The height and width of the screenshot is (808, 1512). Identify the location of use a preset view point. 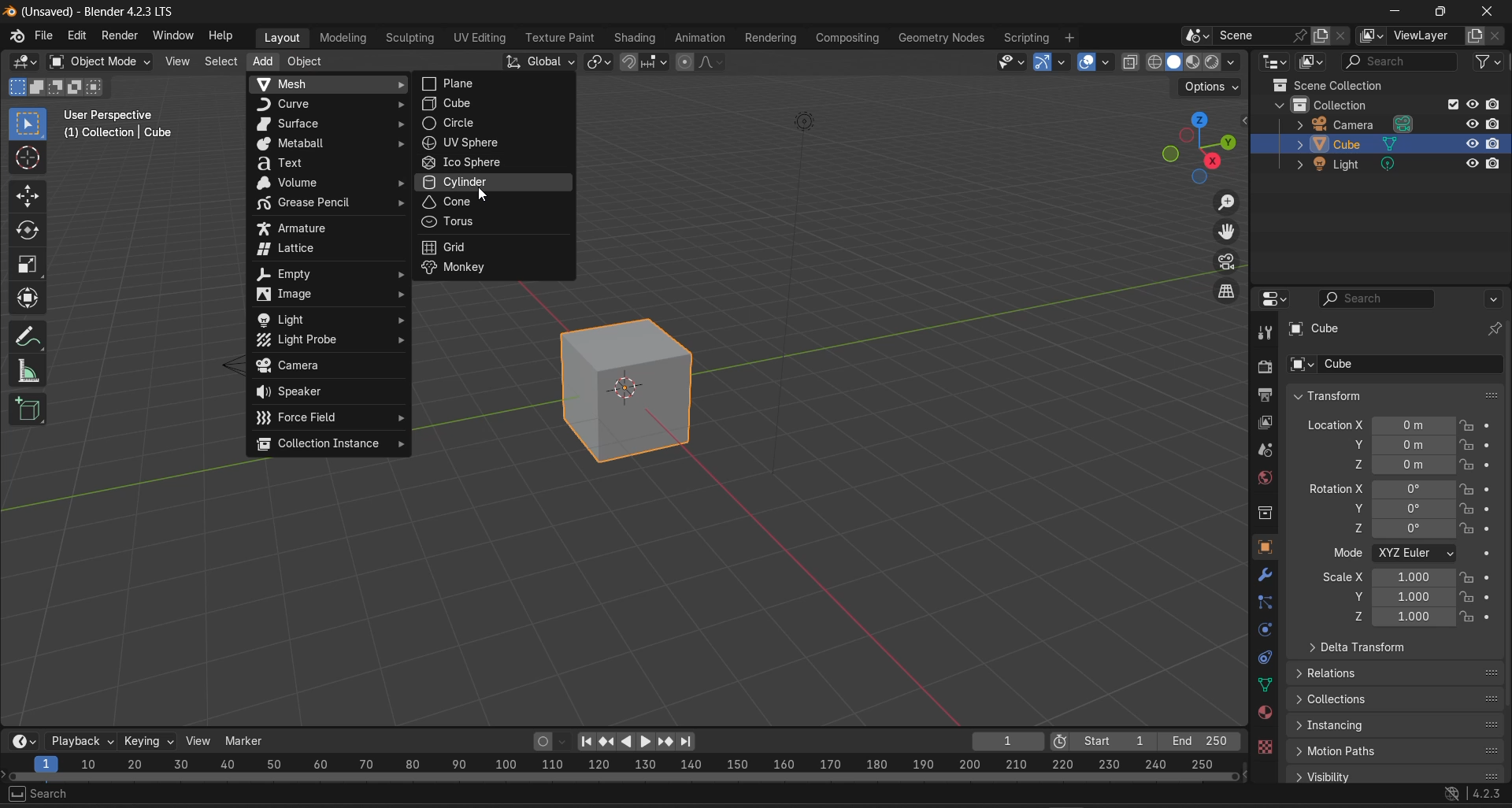
(1202, 146).